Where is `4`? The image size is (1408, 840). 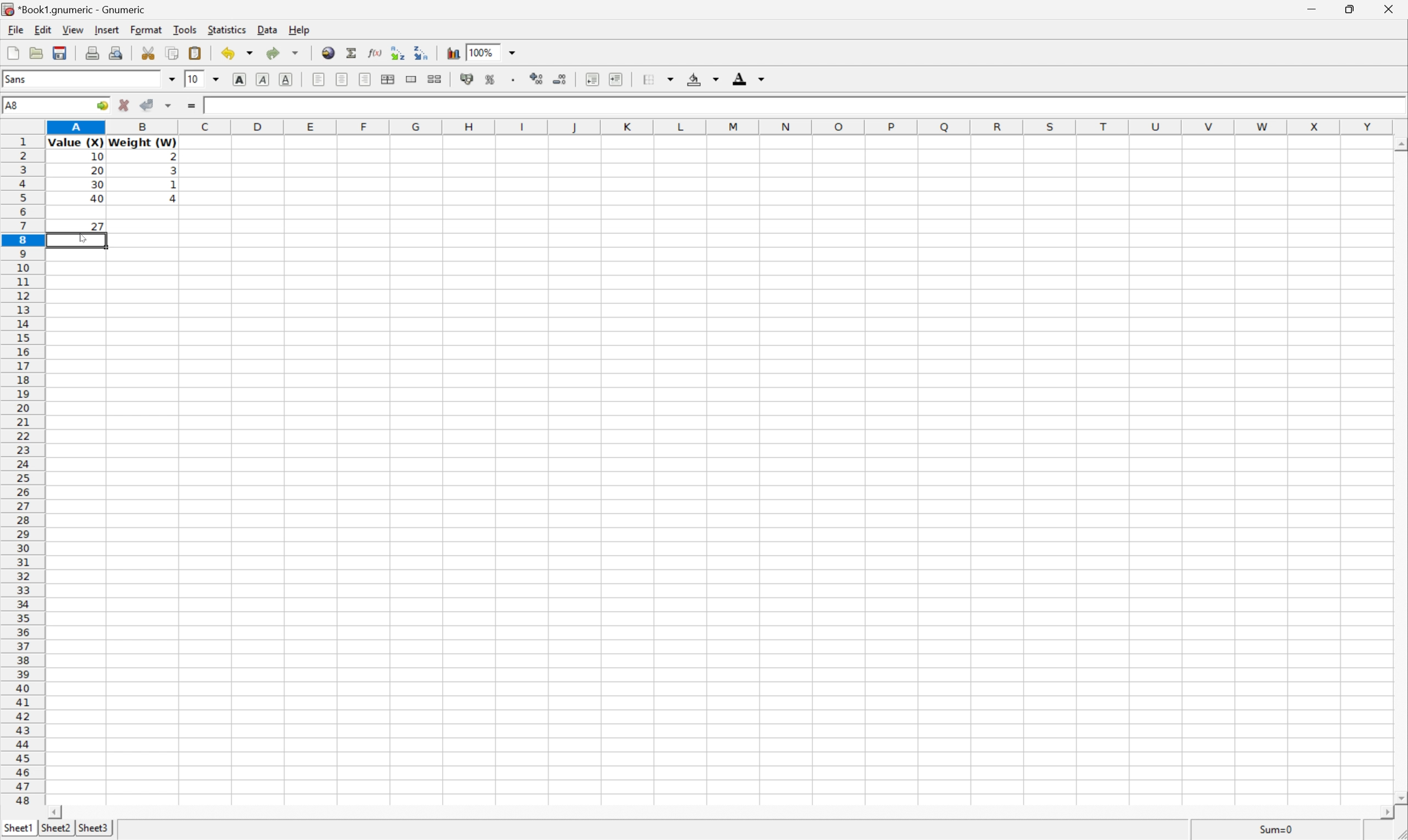
4 is located at coordinates (173, 200).